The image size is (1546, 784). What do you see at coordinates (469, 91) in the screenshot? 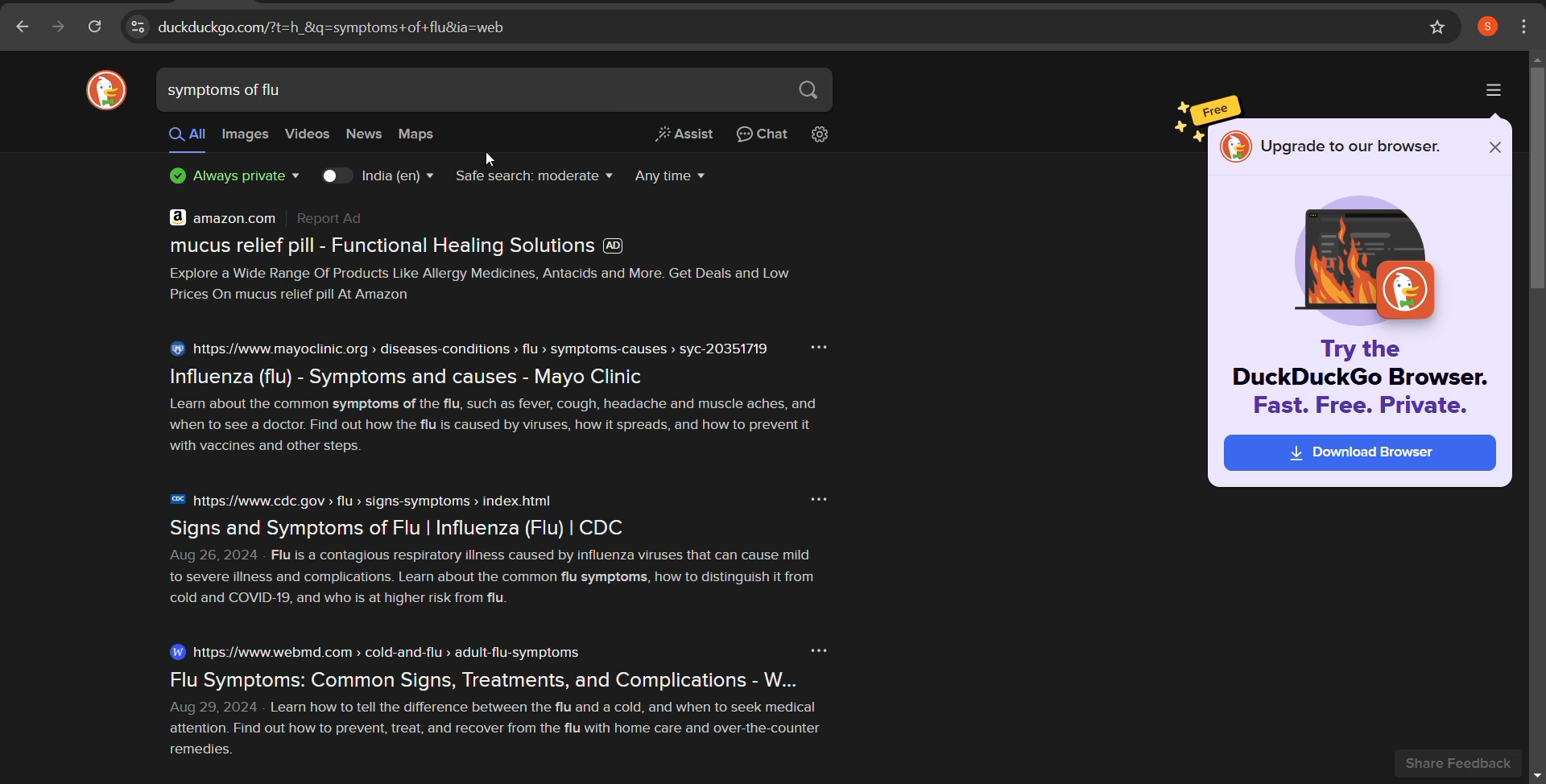
I see `search bar` at bounding box center [469, 91].